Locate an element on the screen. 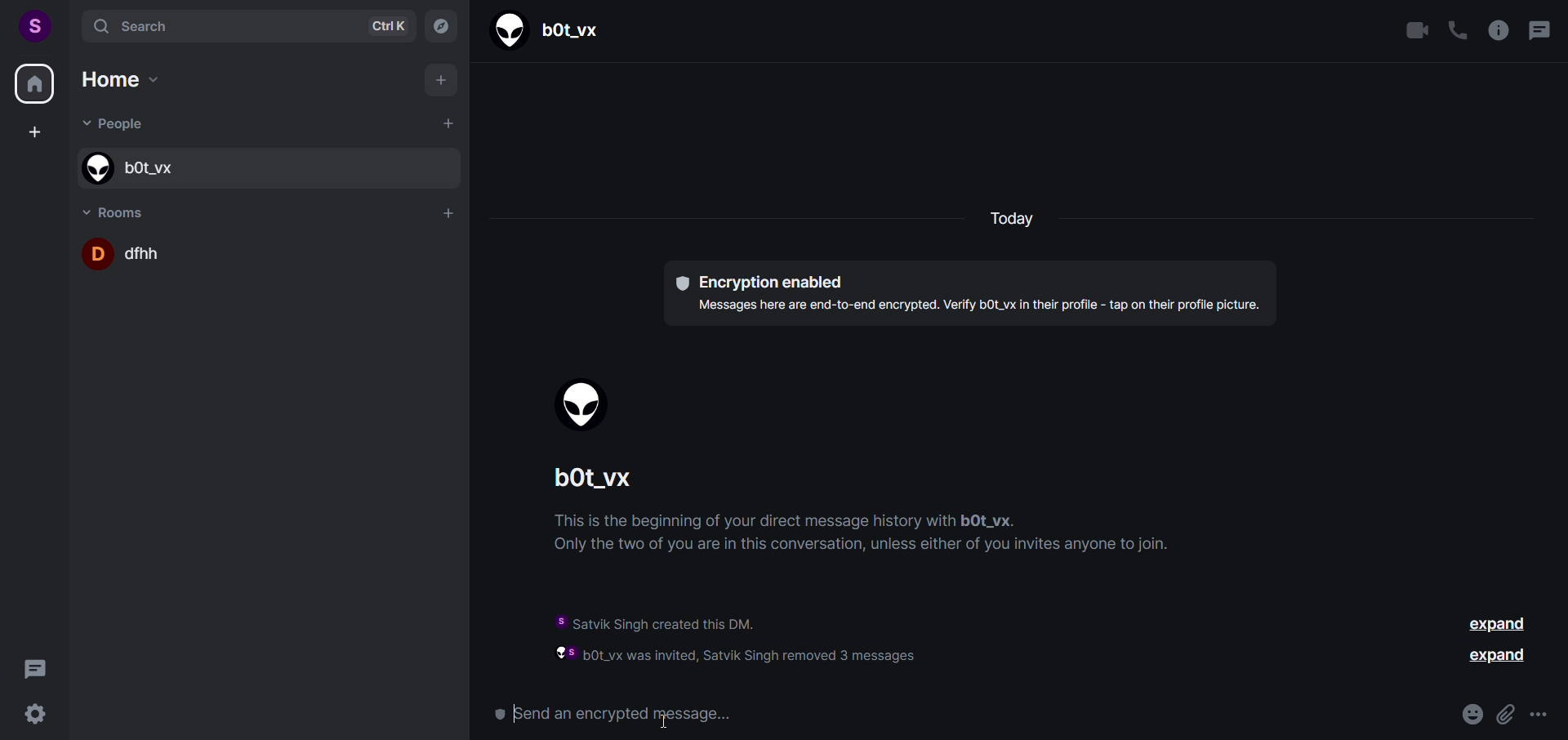 Image resolution: width=1568 pixels, height=740 pixels. settings is located at coordinates (38, 715).